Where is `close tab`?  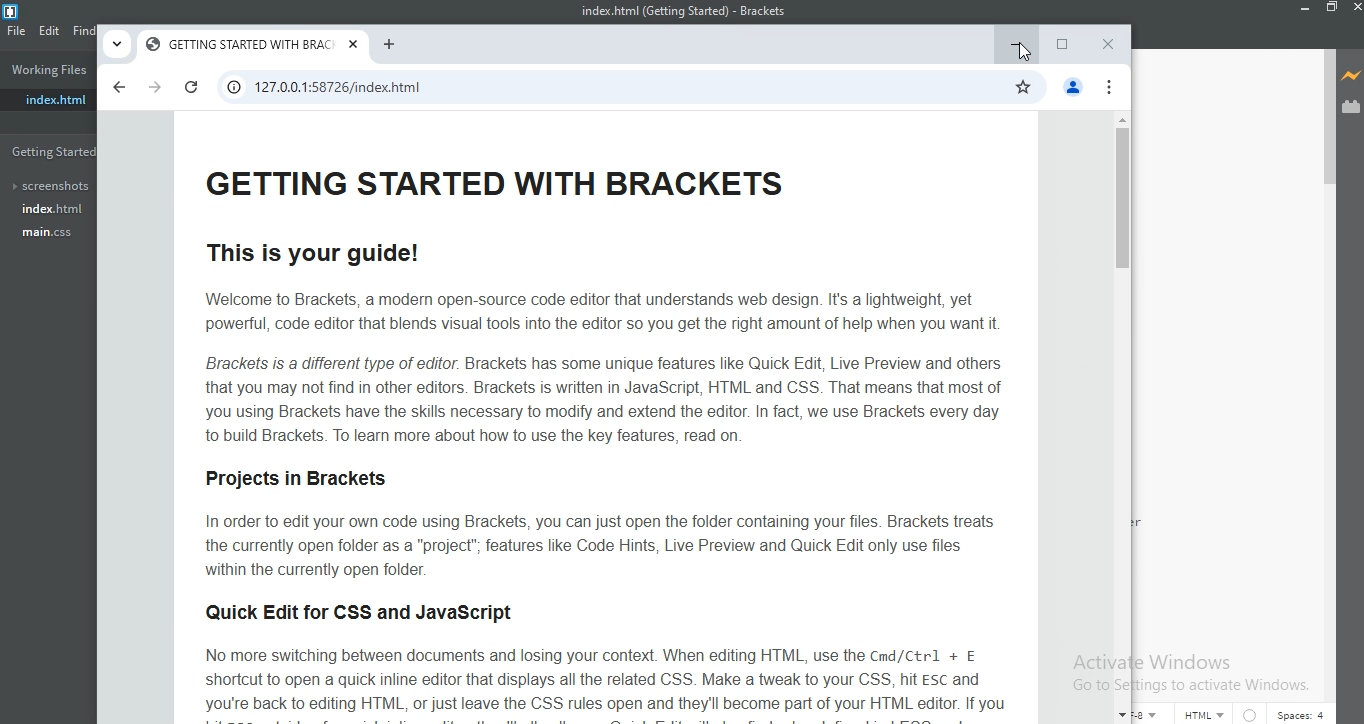 close tab is located at coordinates (355, 47).